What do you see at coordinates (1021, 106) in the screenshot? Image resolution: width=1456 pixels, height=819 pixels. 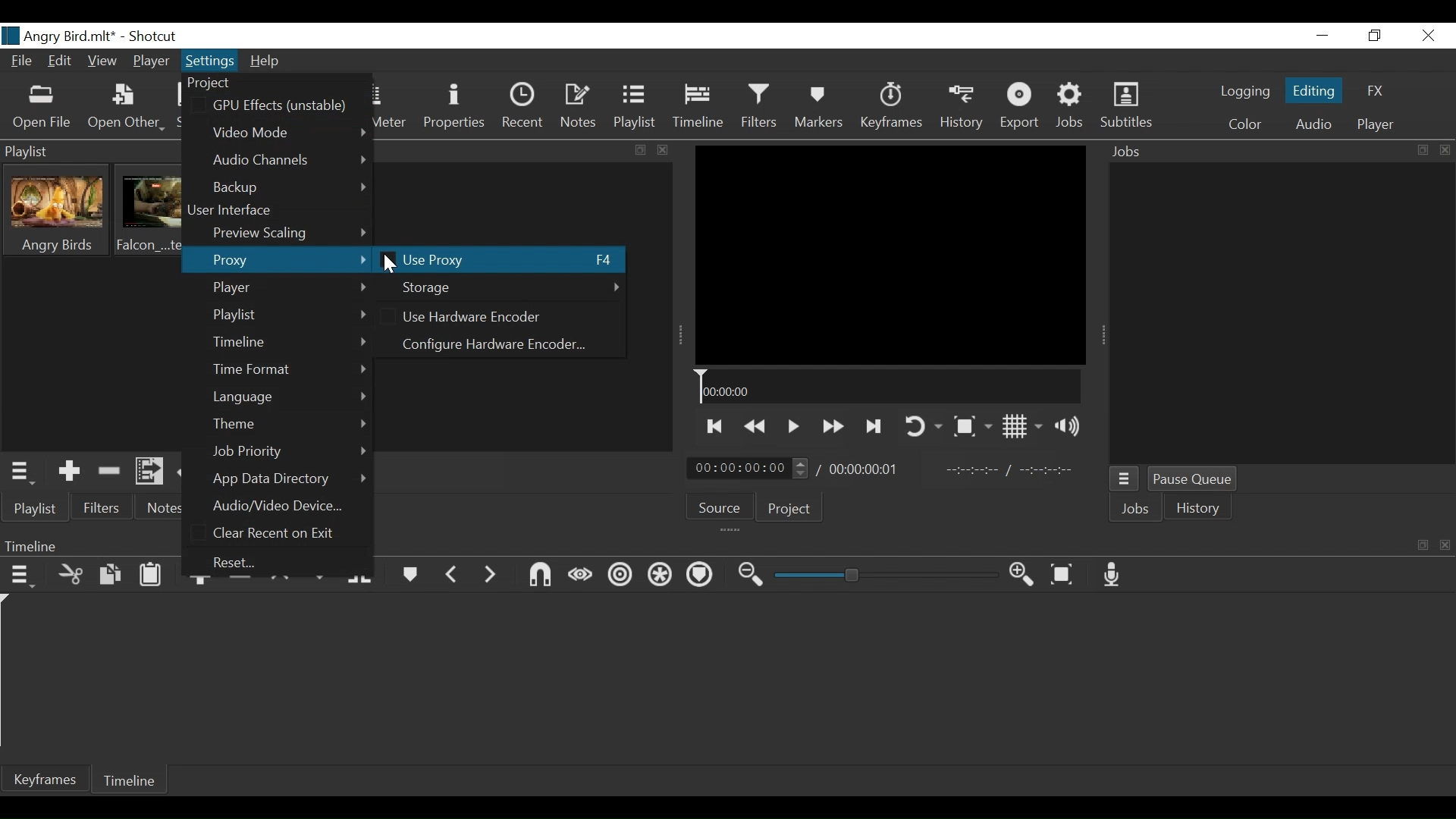 I see `Export` at bounding box center [1021, 106].